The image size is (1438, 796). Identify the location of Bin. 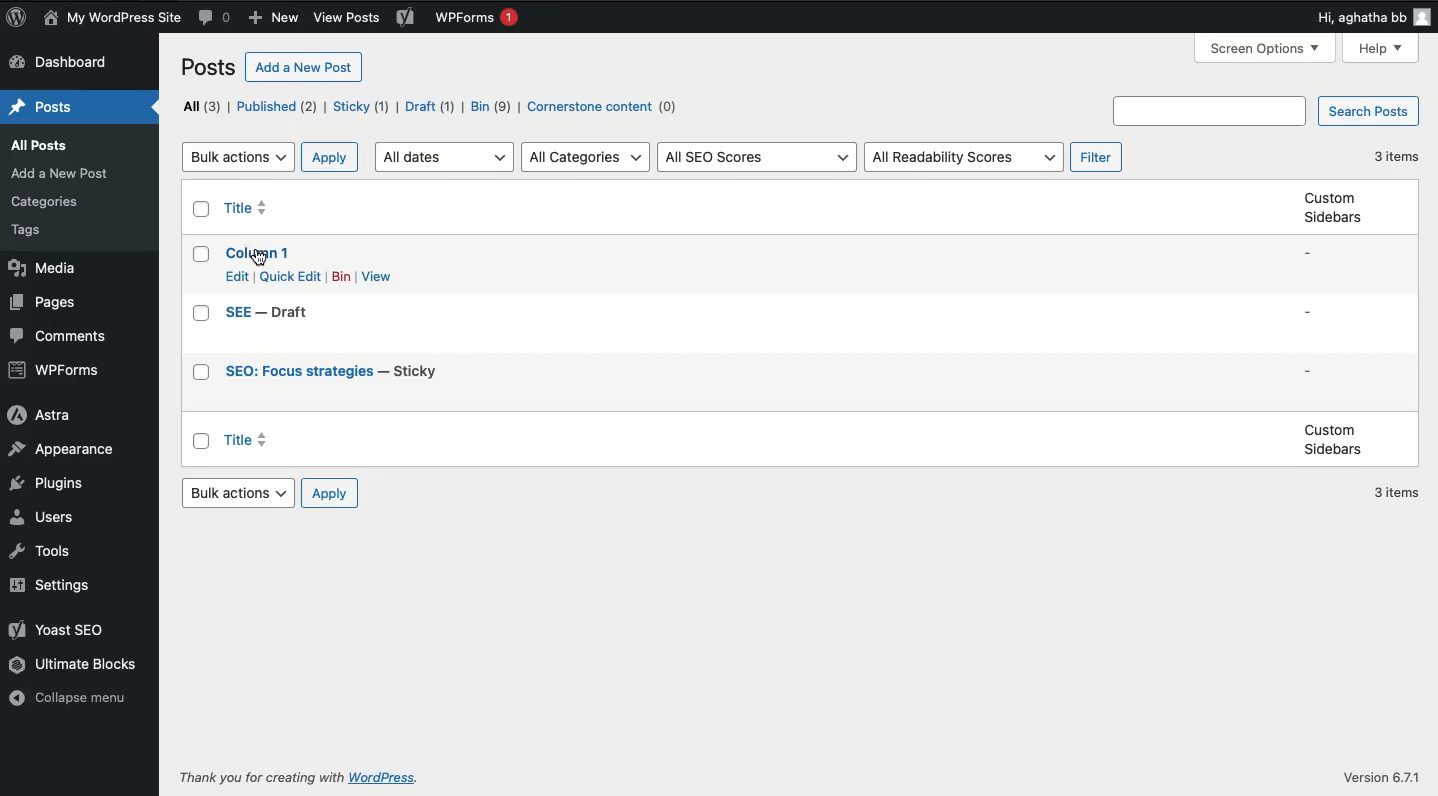
(342, 276).